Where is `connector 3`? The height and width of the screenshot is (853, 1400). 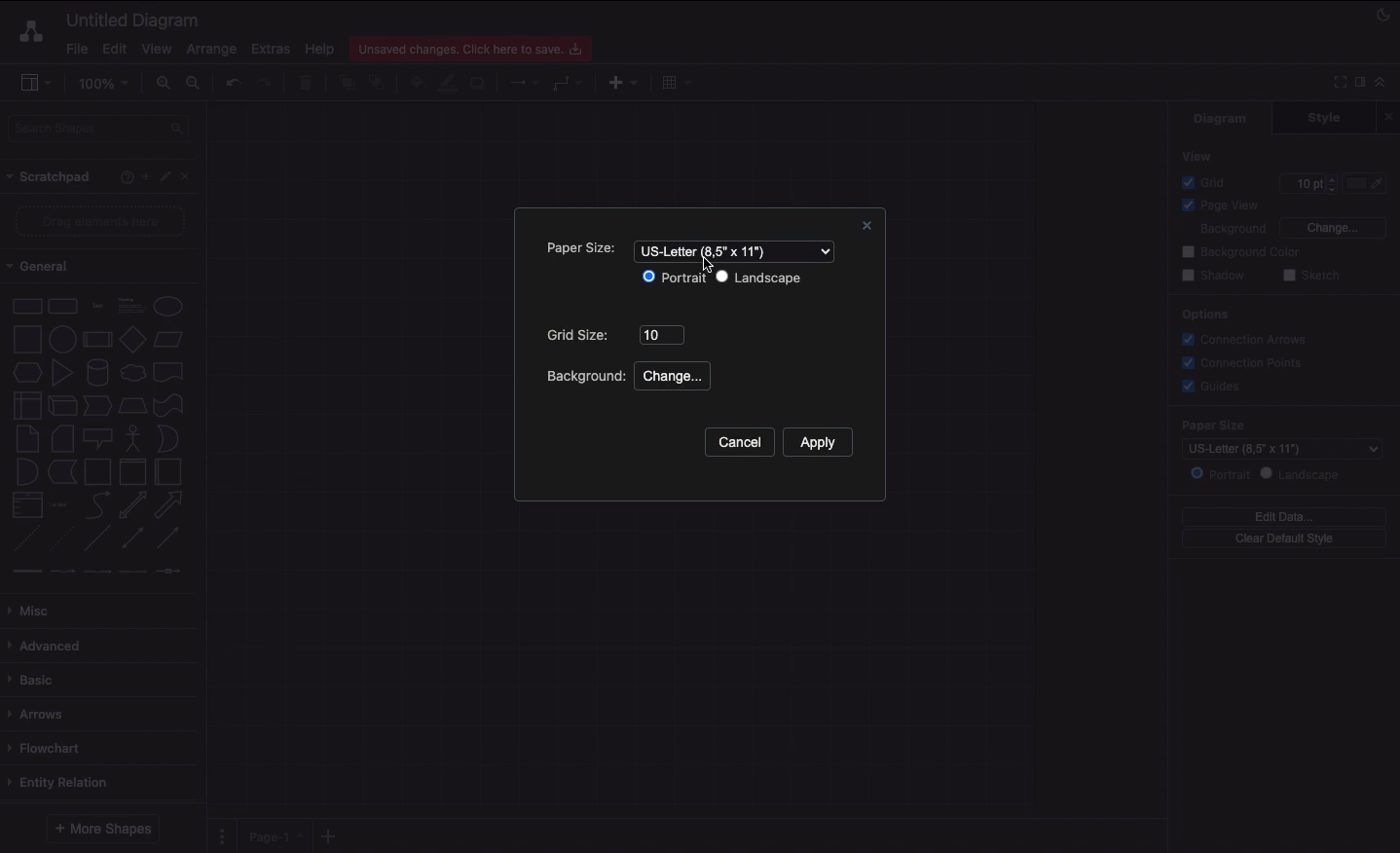
connector 3 is located at coordinates (95, 571).